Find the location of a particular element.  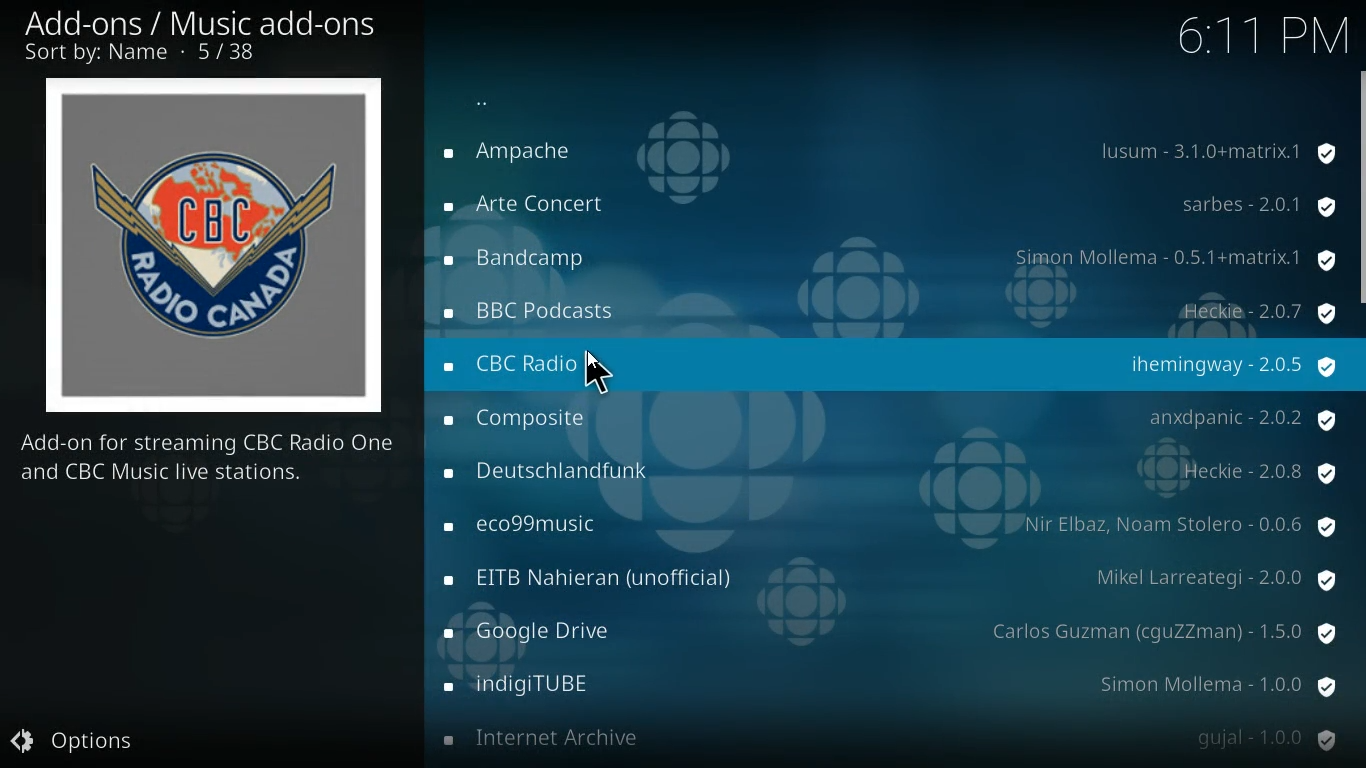

protection is located at coordinates (1237, 420).